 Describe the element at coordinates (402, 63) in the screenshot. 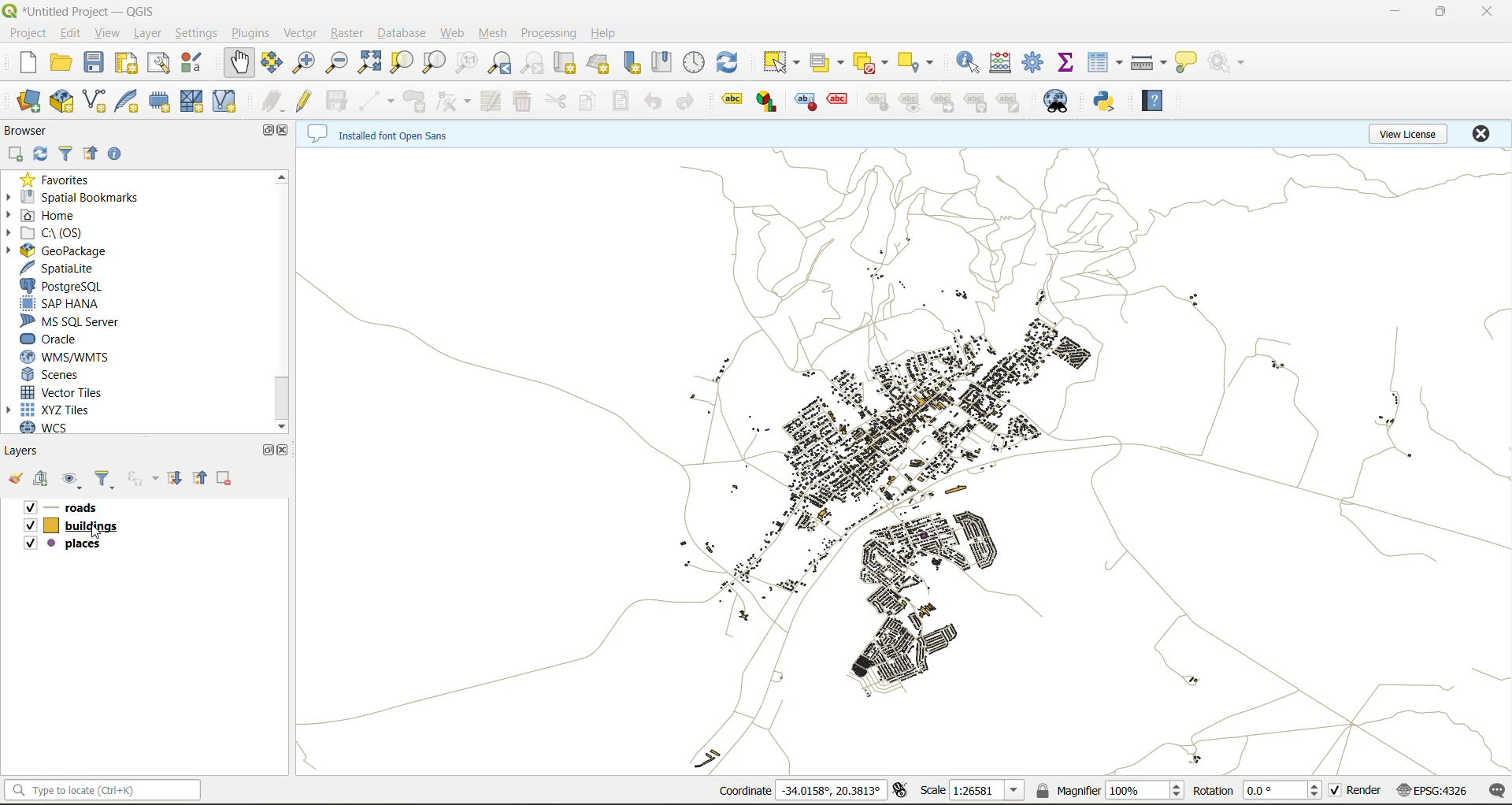

I see `zoom selection` at that location.